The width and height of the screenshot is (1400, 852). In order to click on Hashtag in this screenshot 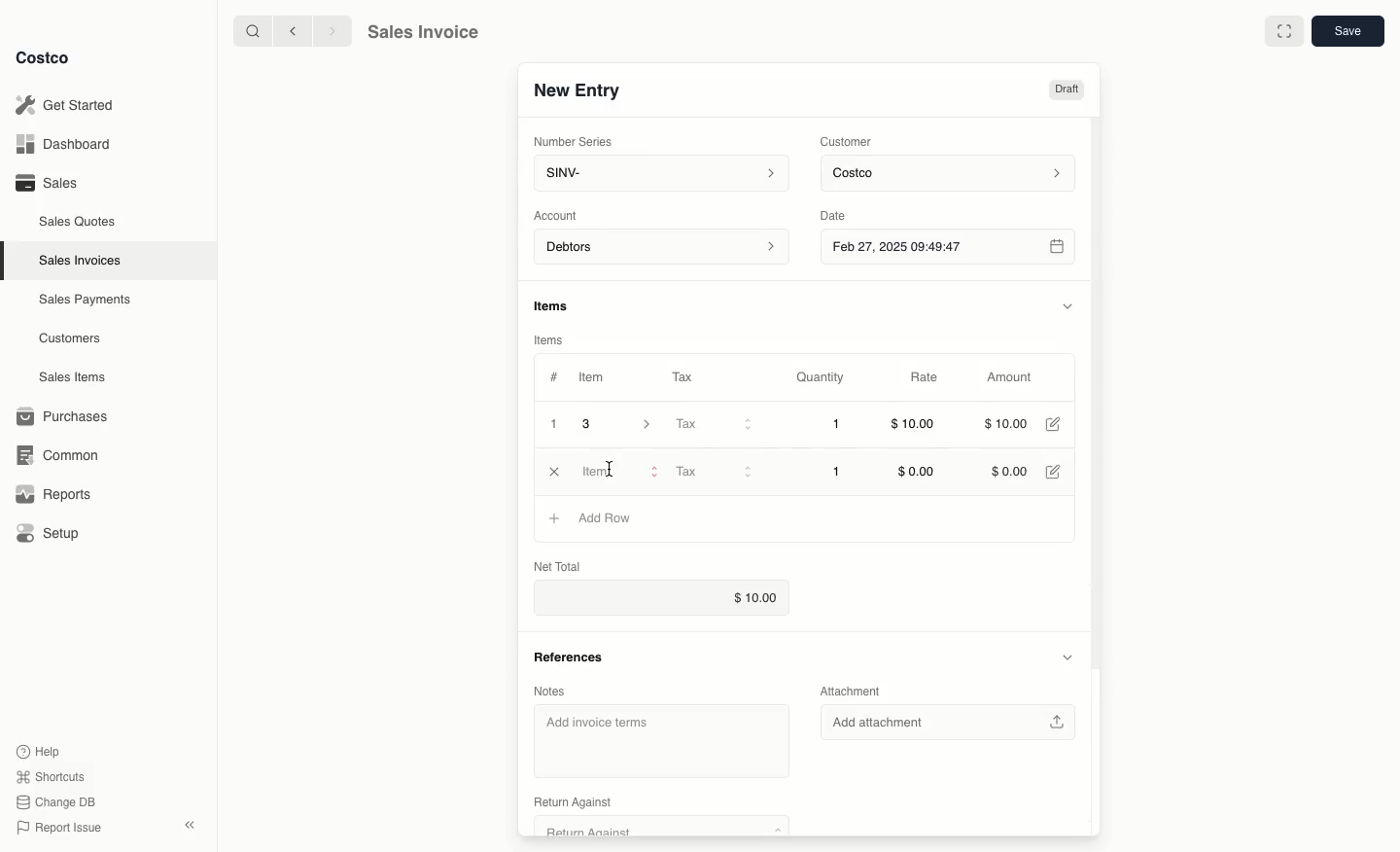, I will do `click(553, 377)`.